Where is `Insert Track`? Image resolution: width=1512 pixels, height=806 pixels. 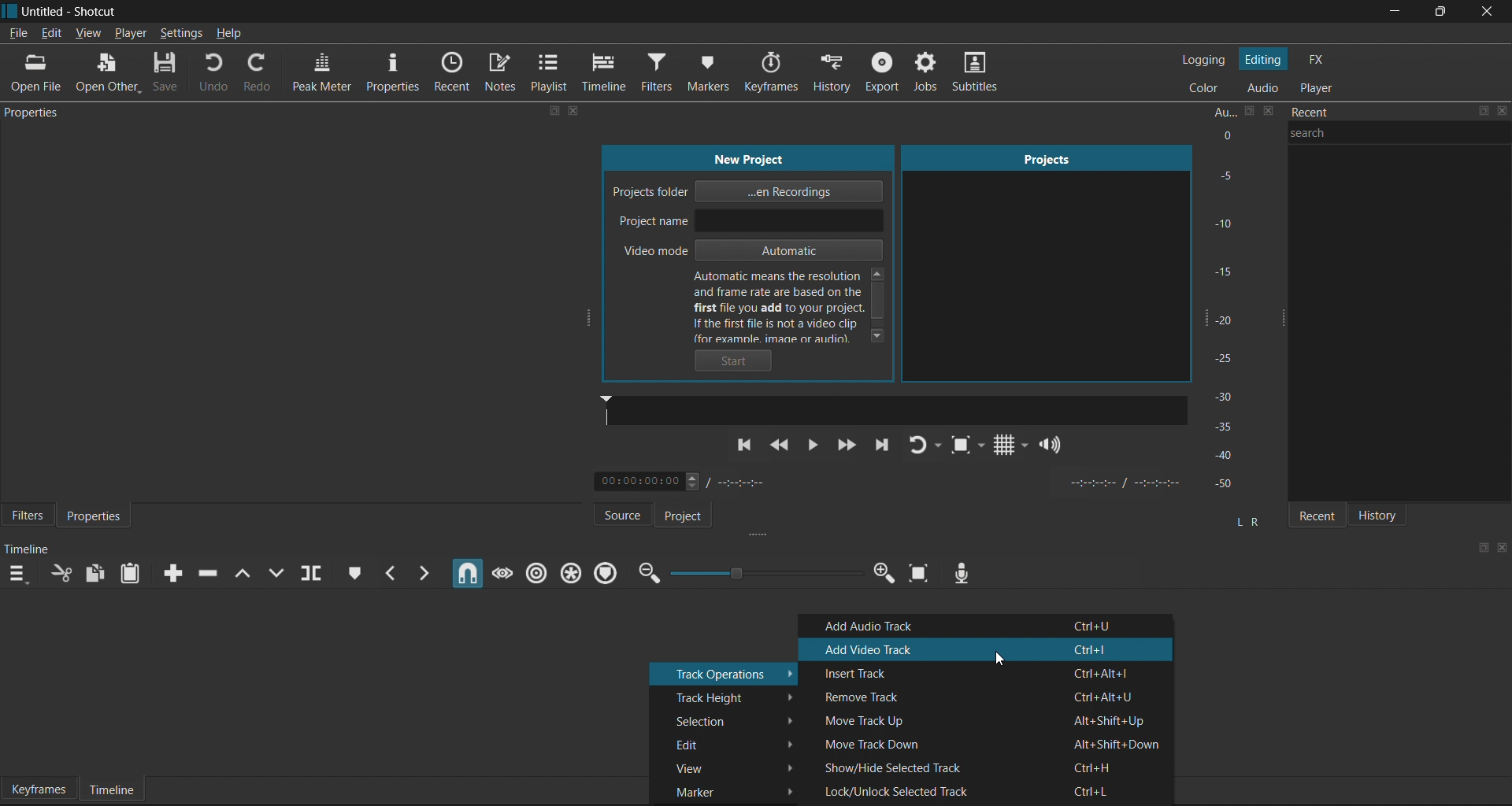 Insert Track is located at coordinates (988, 672).